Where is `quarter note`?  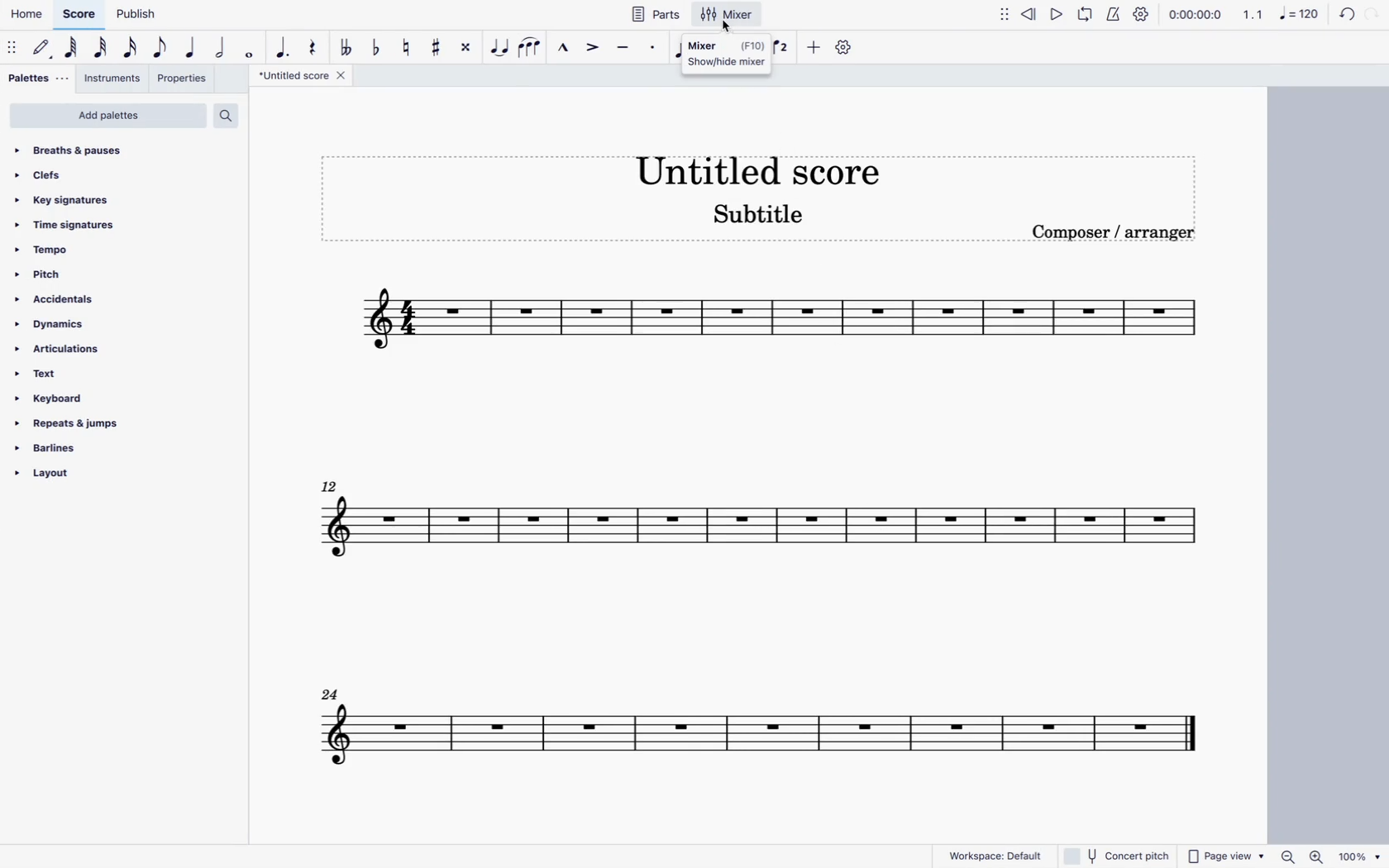
quarter note is located at coordinates (193, 49).